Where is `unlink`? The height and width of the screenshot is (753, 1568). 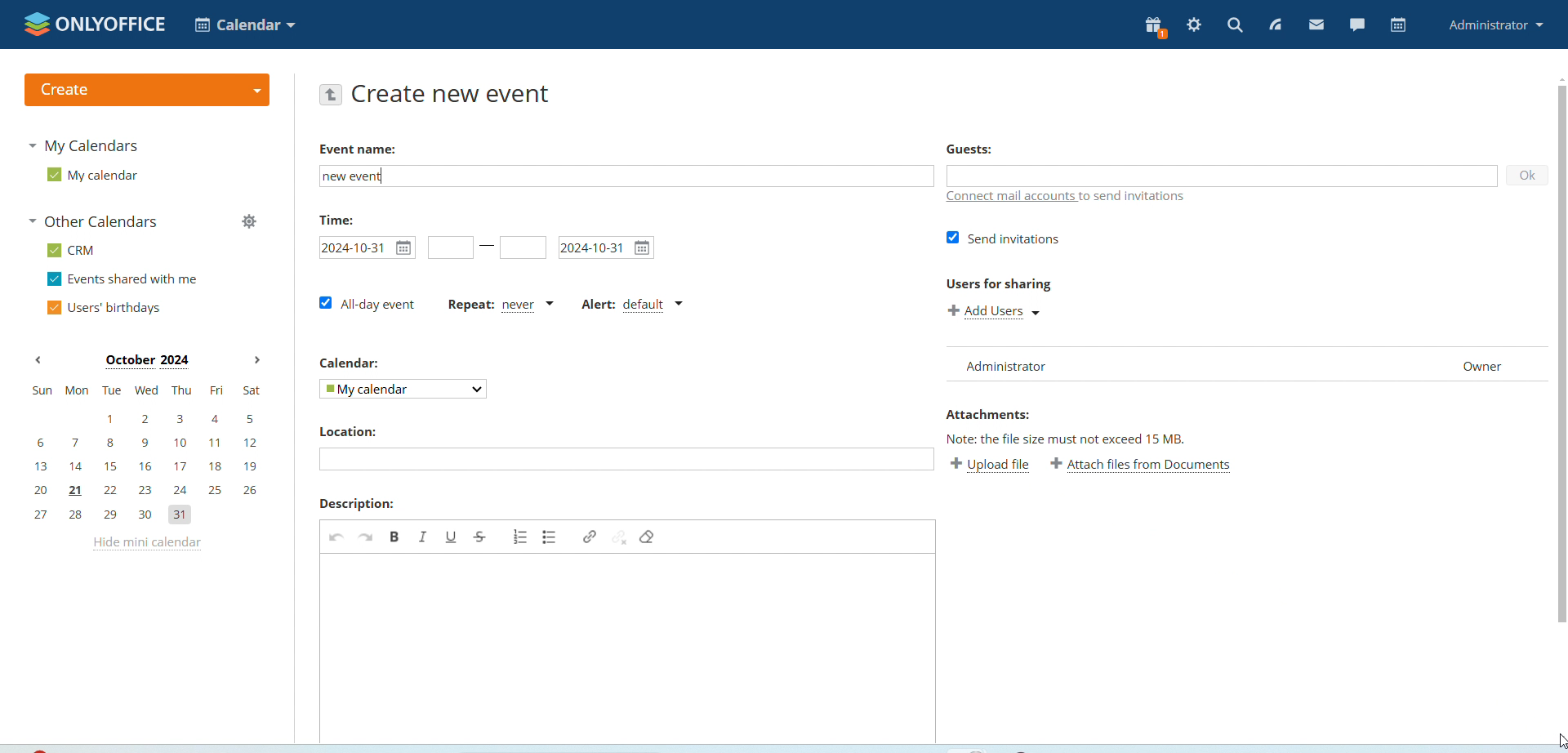
unlink is located at coordinates (619, 538).